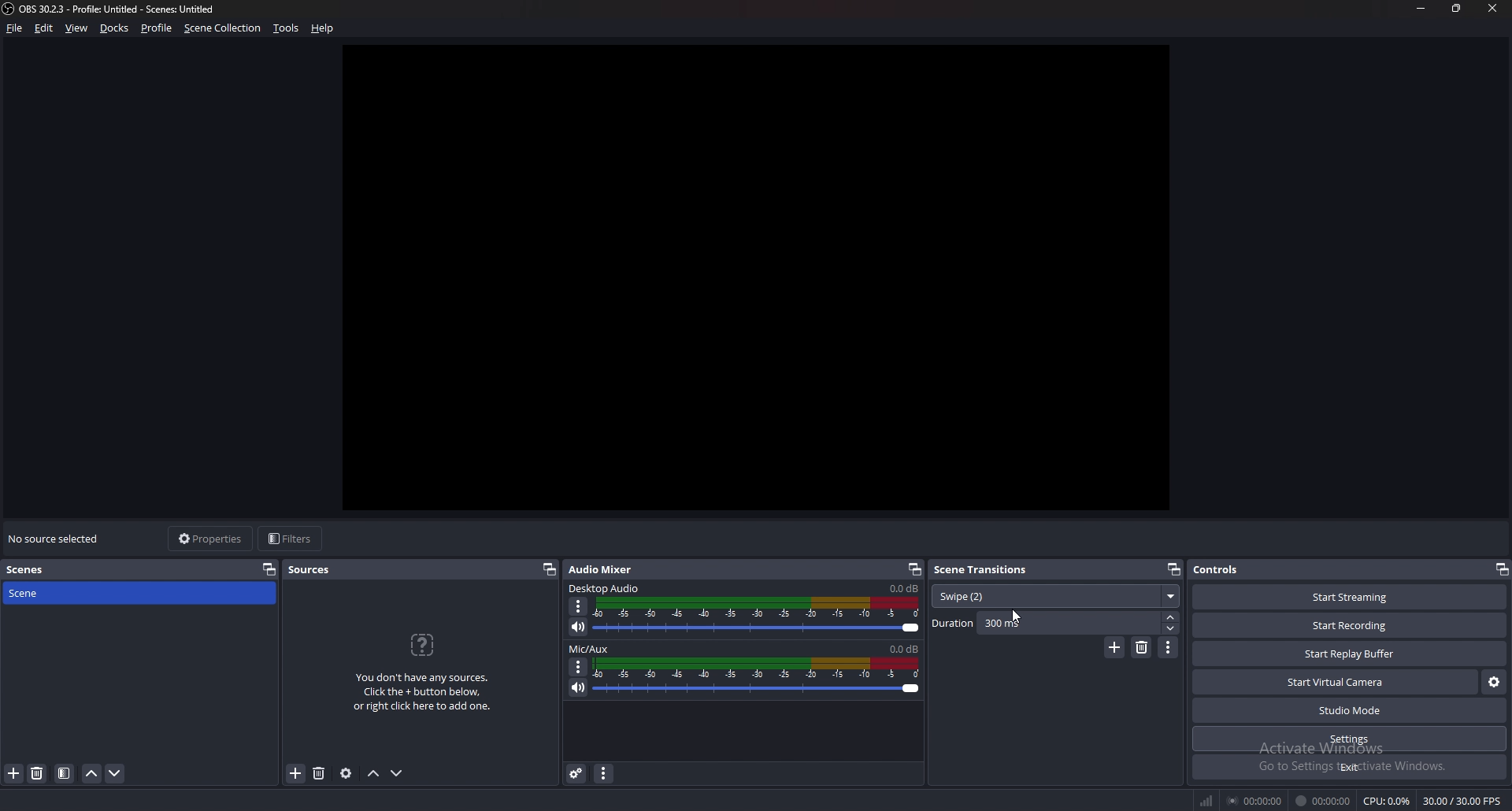 The height and width of the screenshot is (811, 1512). I want to click on start virtual camera, so click(1337, 682).